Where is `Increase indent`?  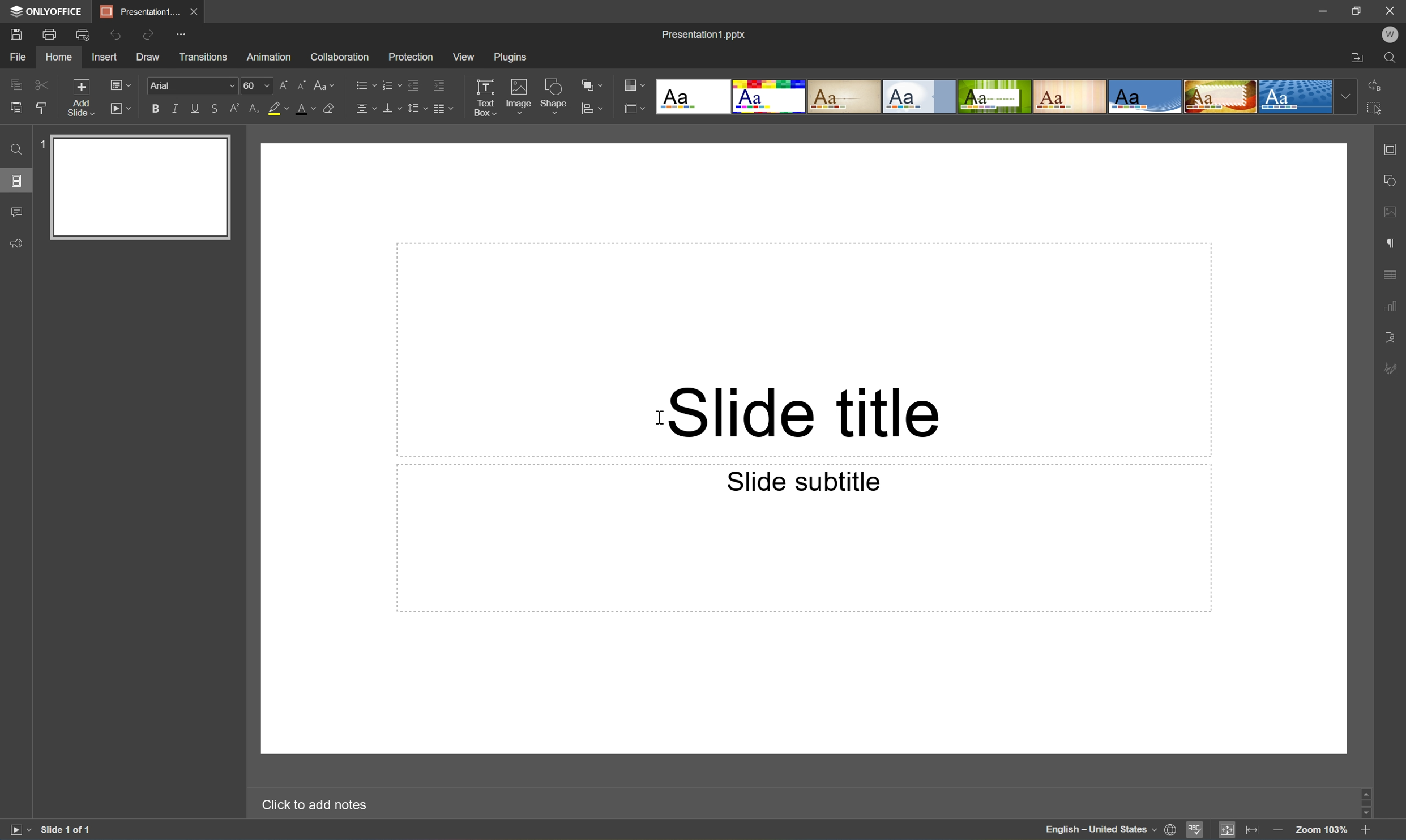
Increase indent is located at coordinates (437, 85).